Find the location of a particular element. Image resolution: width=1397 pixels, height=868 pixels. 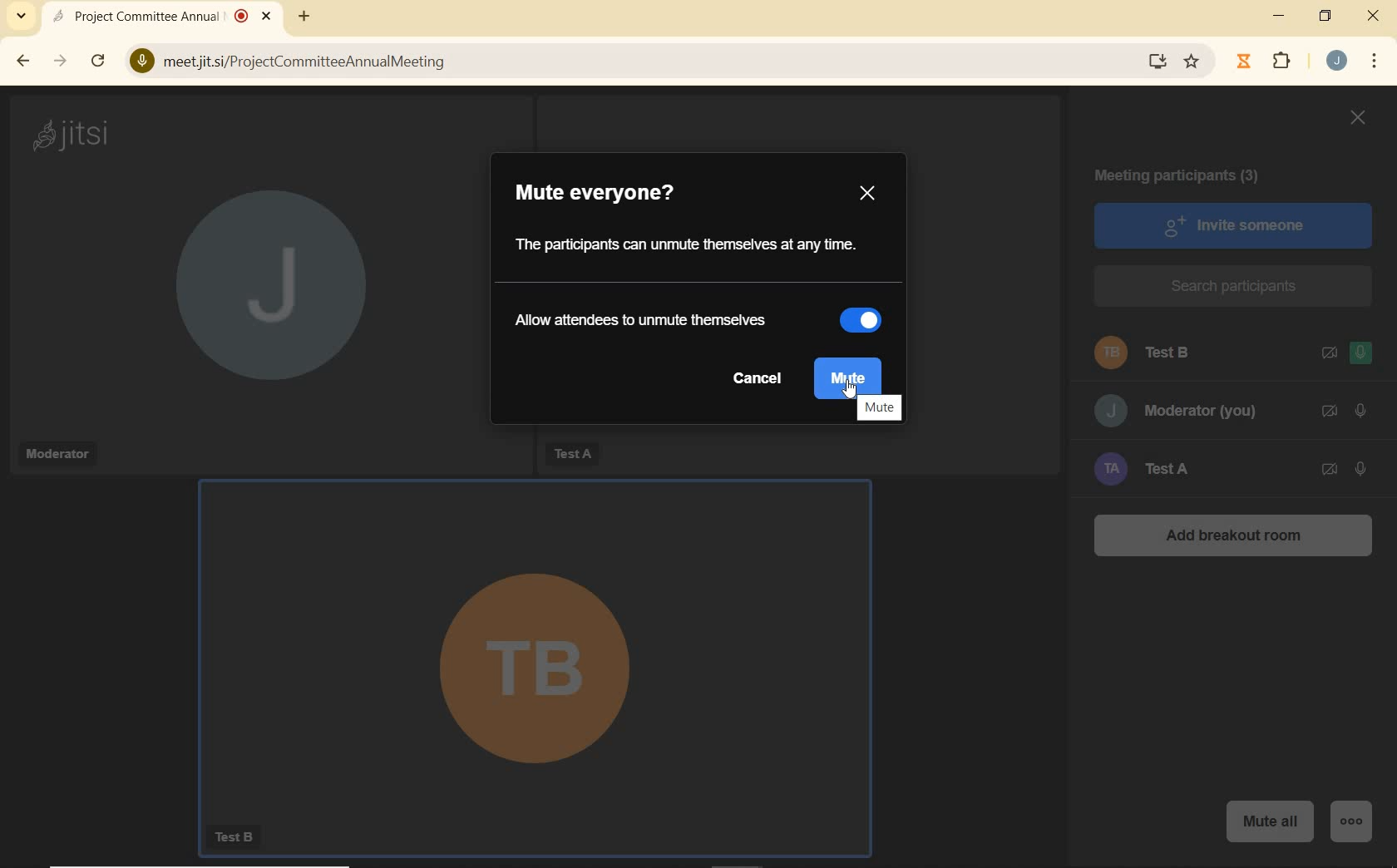

close tab is located at coordinates (265, 17).